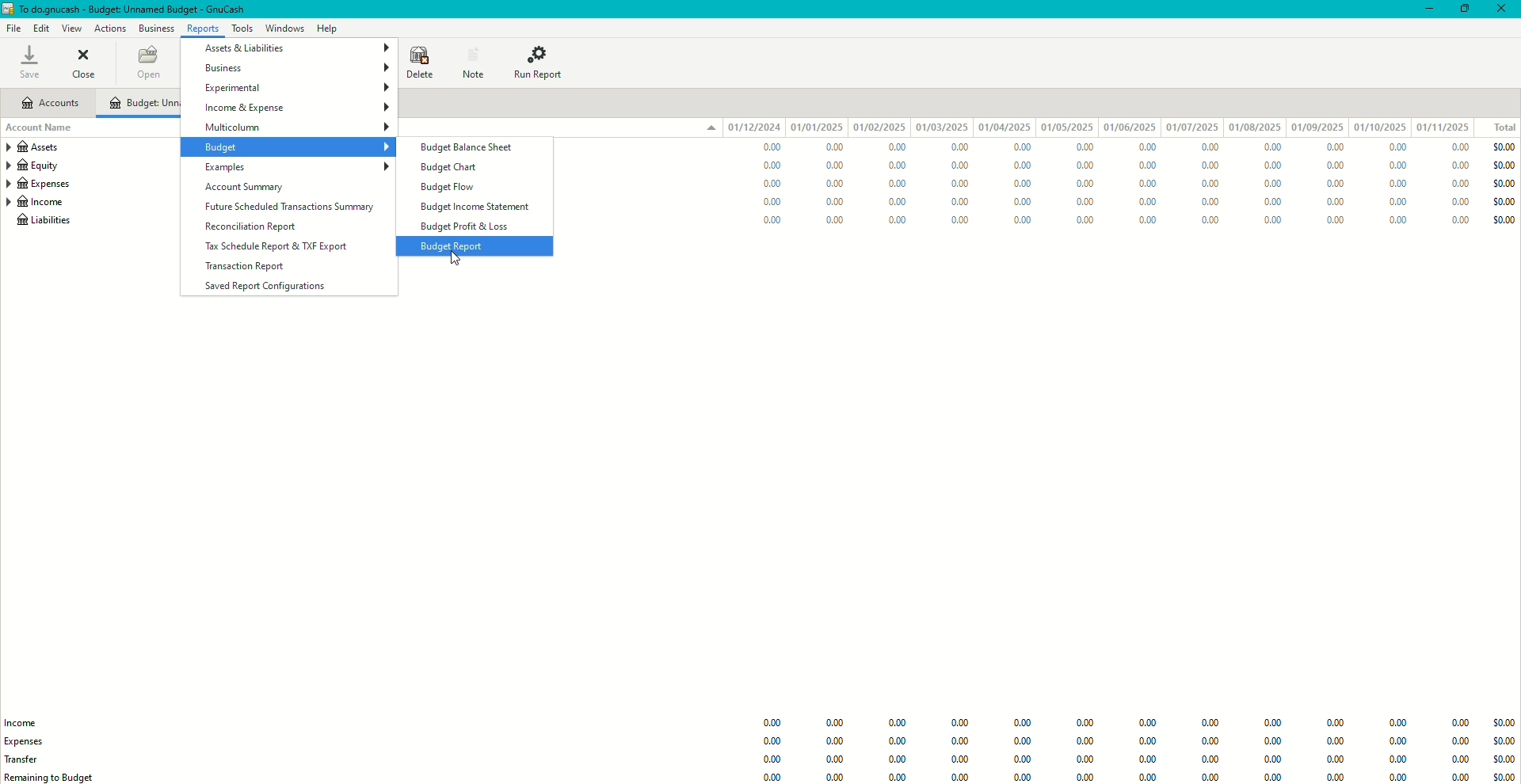 The height and width of the screenshot is (784, 1521). What do you see at coordinates (418, 61) in the screenshot?
I see `Delete` at bounding box center [418, 61].